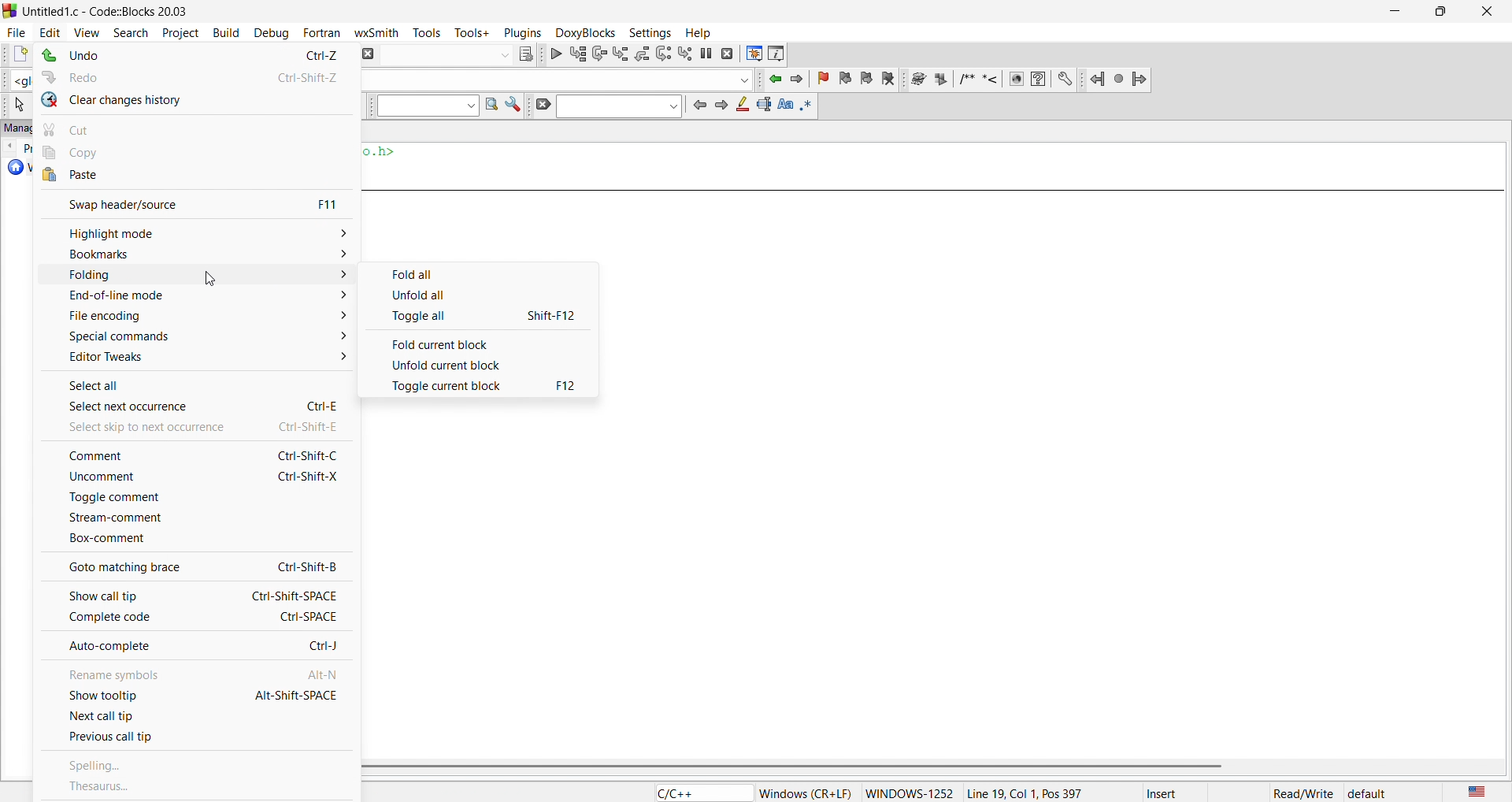 The height and width of the screenshot is (802, 1512). Describe the element at coordinates (443, 53) in the screenshot. I see `input box` at that location.